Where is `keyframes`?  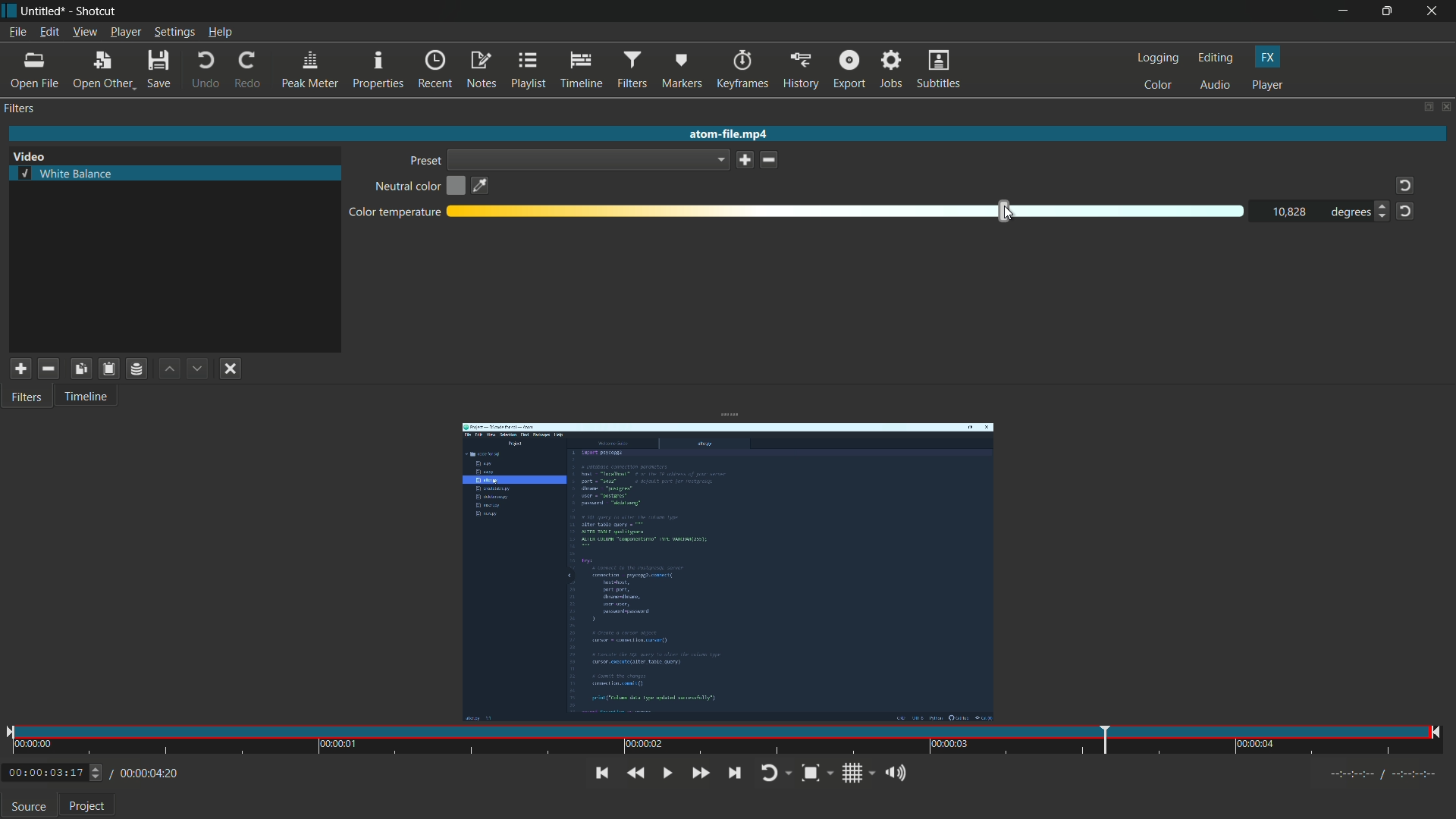
keyframes is located at coordinates (743, 69).